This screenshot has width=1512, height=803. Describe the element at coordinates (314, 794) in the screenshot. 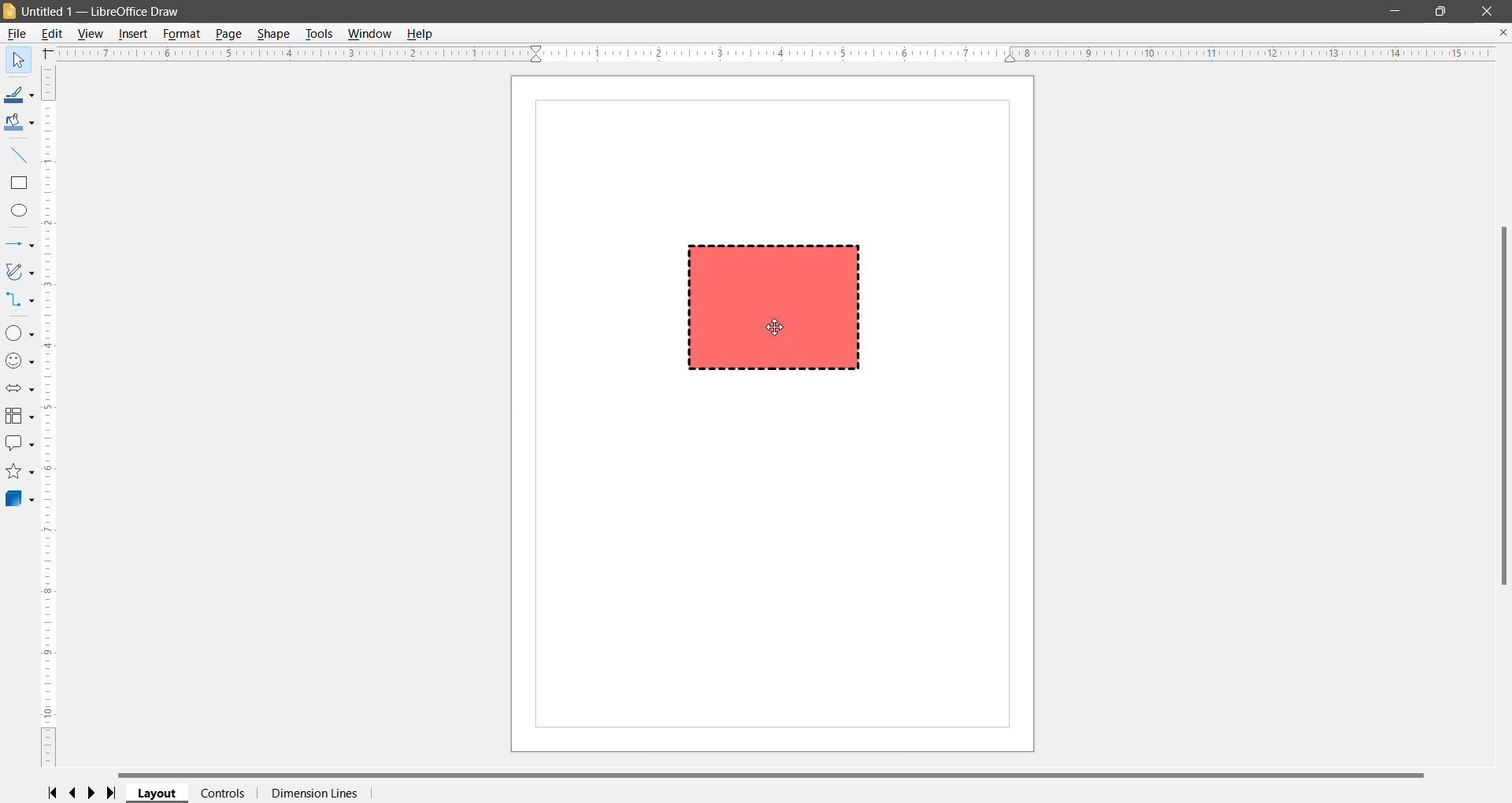

I see `Dimension Lines` at that location.